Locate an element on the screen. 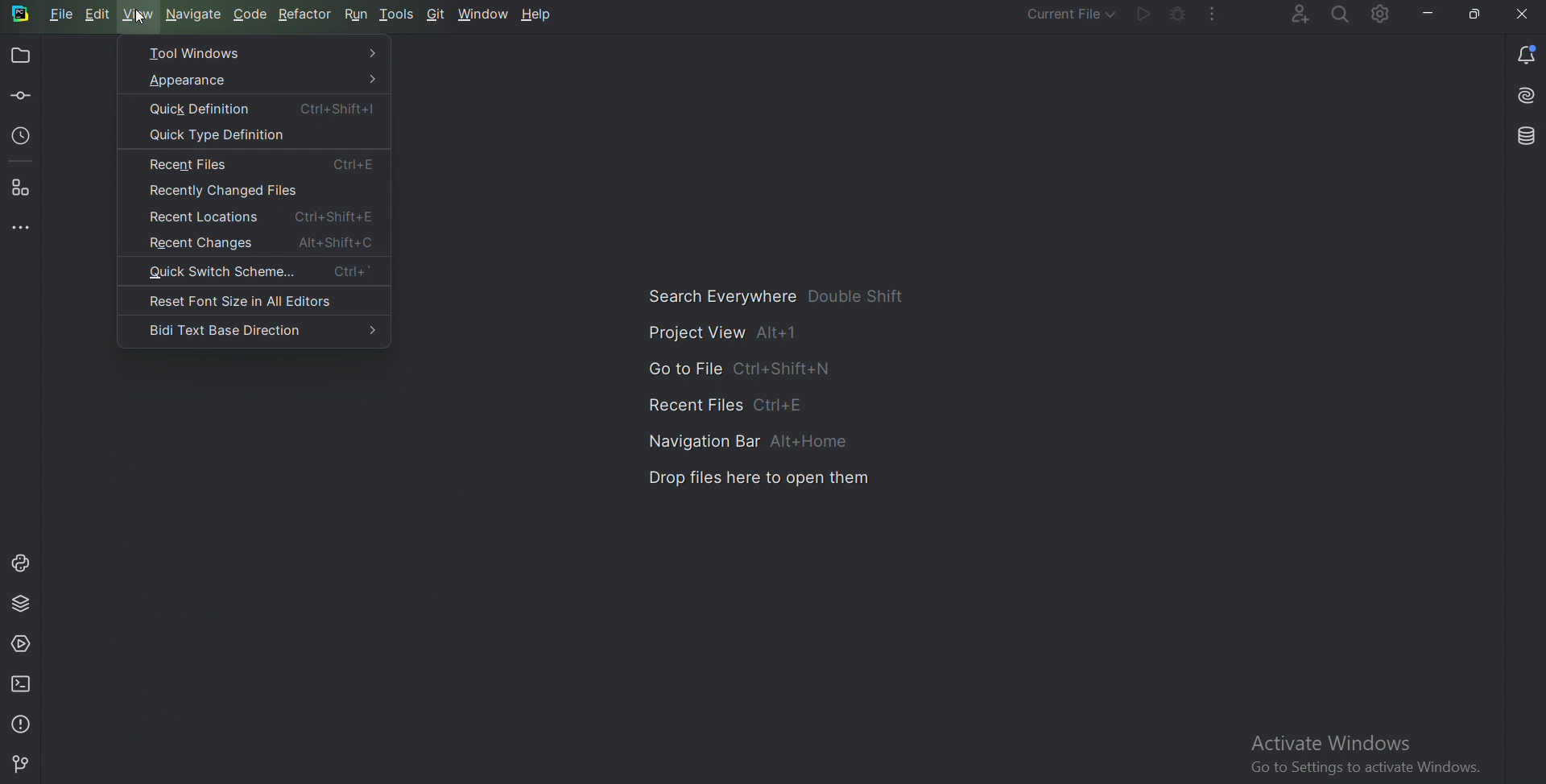 The width and height of the screenshot is (1546, 784). Pycharm is located at coordinates (20, 14).